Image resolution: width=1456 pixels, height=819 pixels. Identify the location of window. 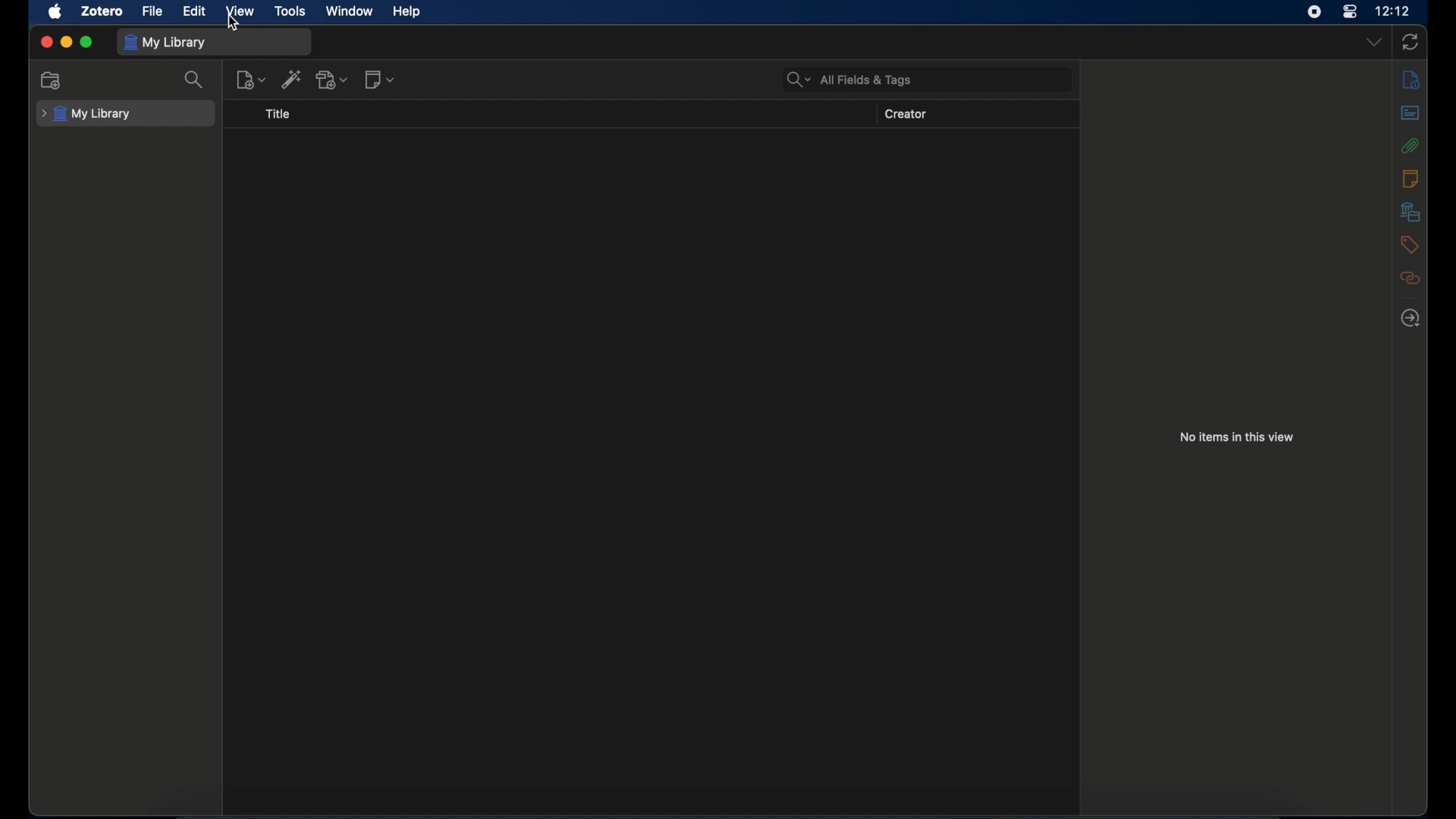
(349, 11).